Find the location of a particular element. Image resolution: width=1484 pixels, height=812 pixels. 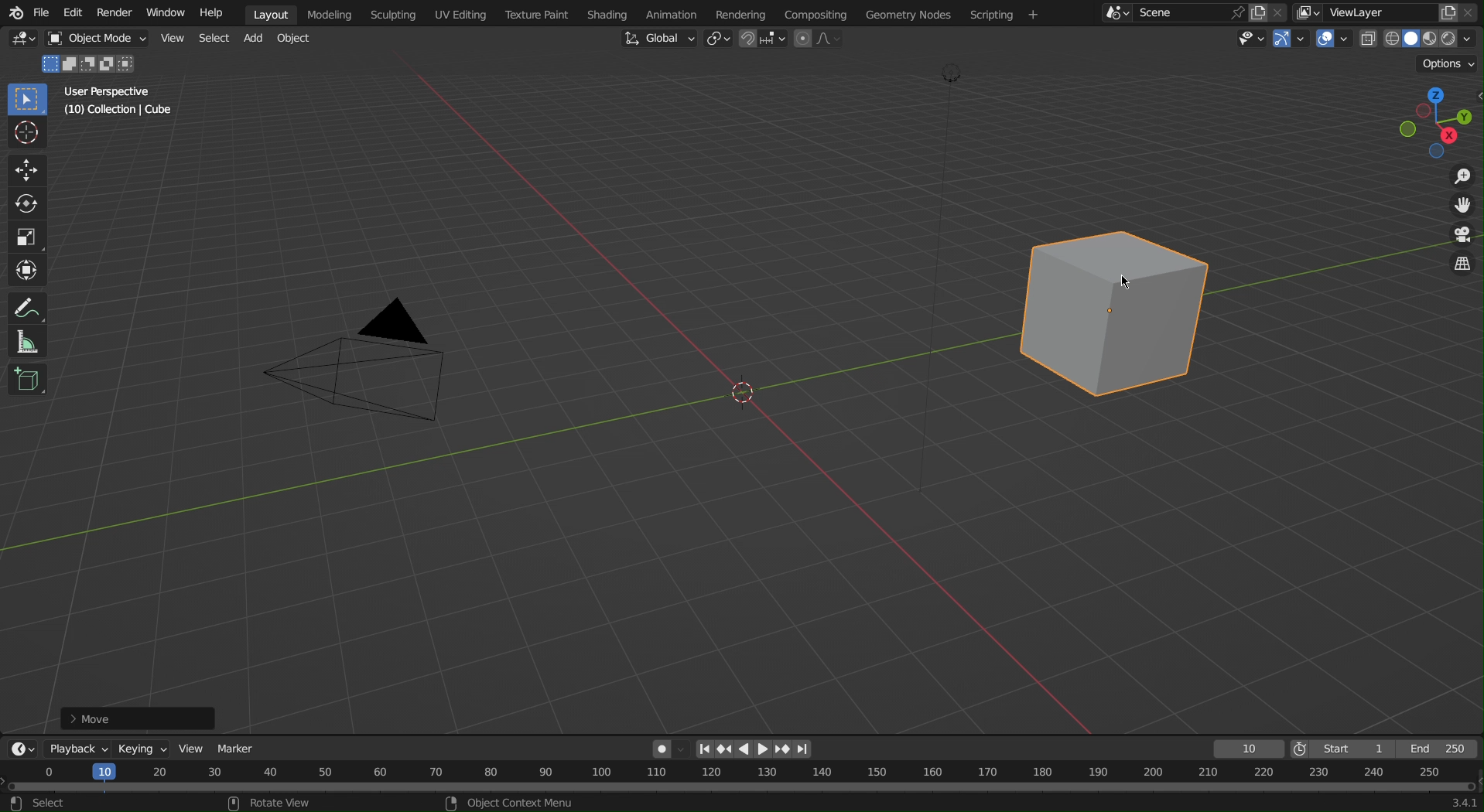

Geometry Nodes is located at coordinates (918, 13).